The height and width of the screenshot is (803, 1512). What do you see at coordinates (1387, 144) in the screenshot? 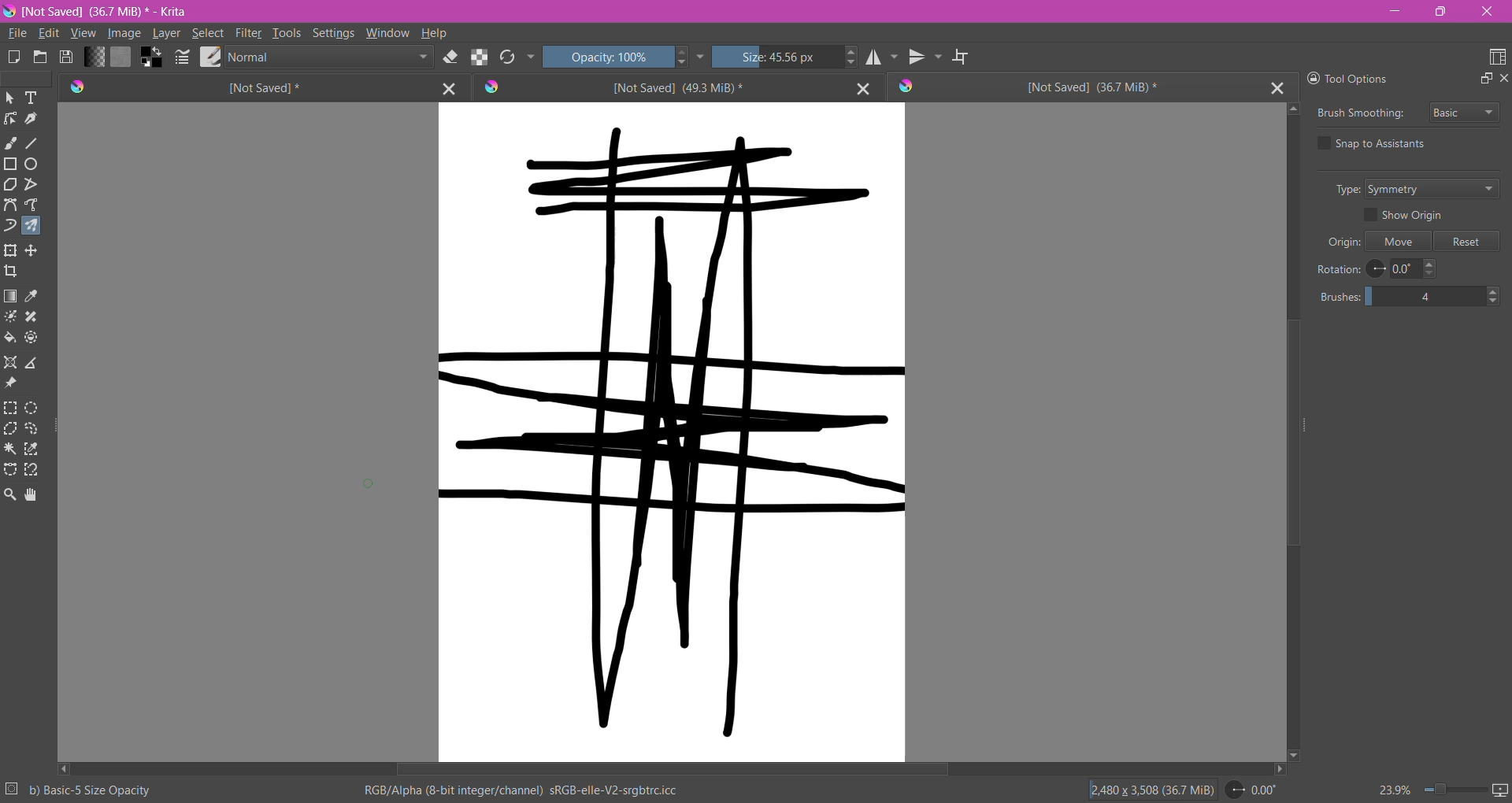
I see `Snap to Assistants` at bounding box center [1387, 144].